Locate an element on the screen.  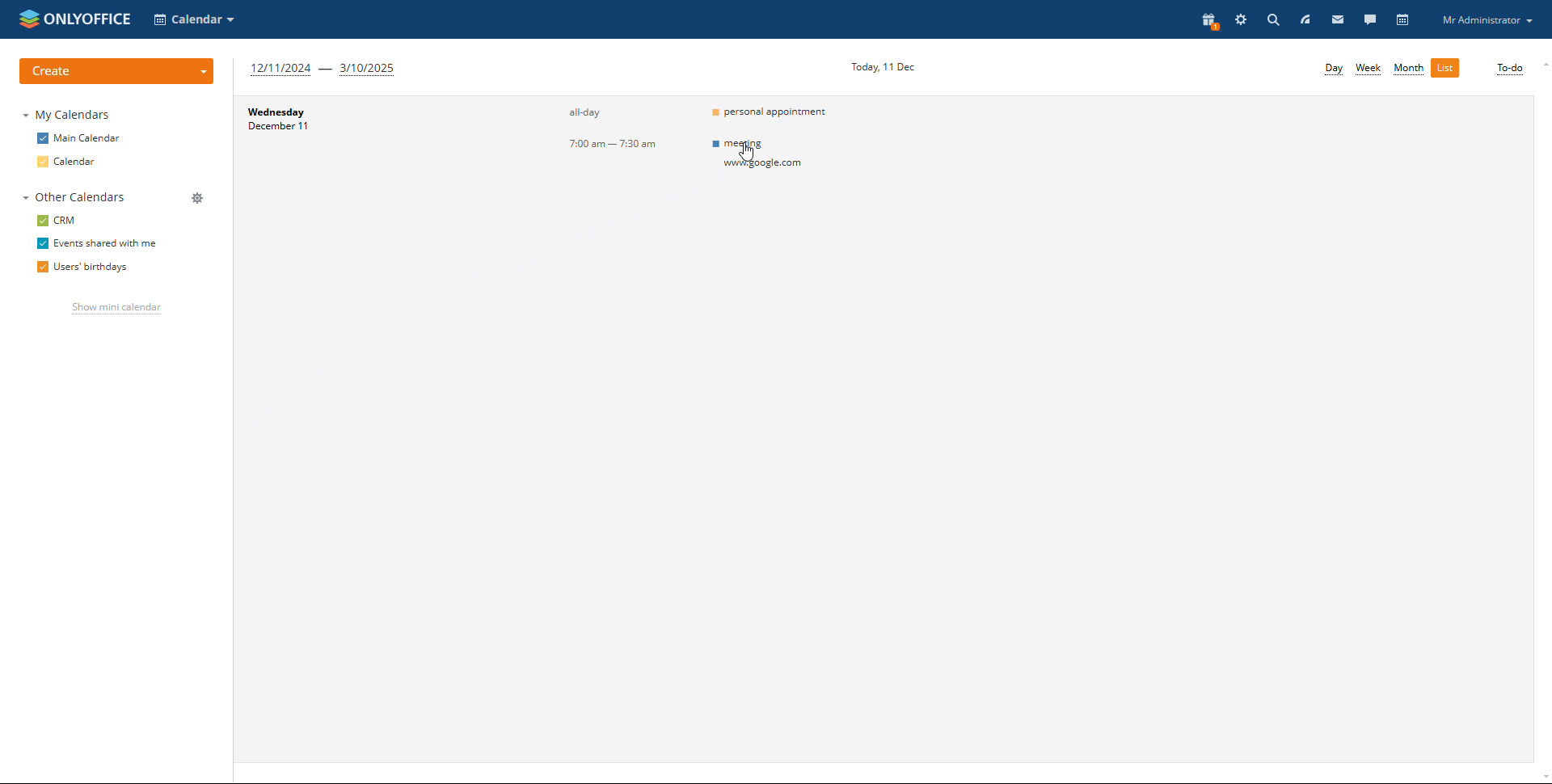
current date is located at coordinates (881, 68).